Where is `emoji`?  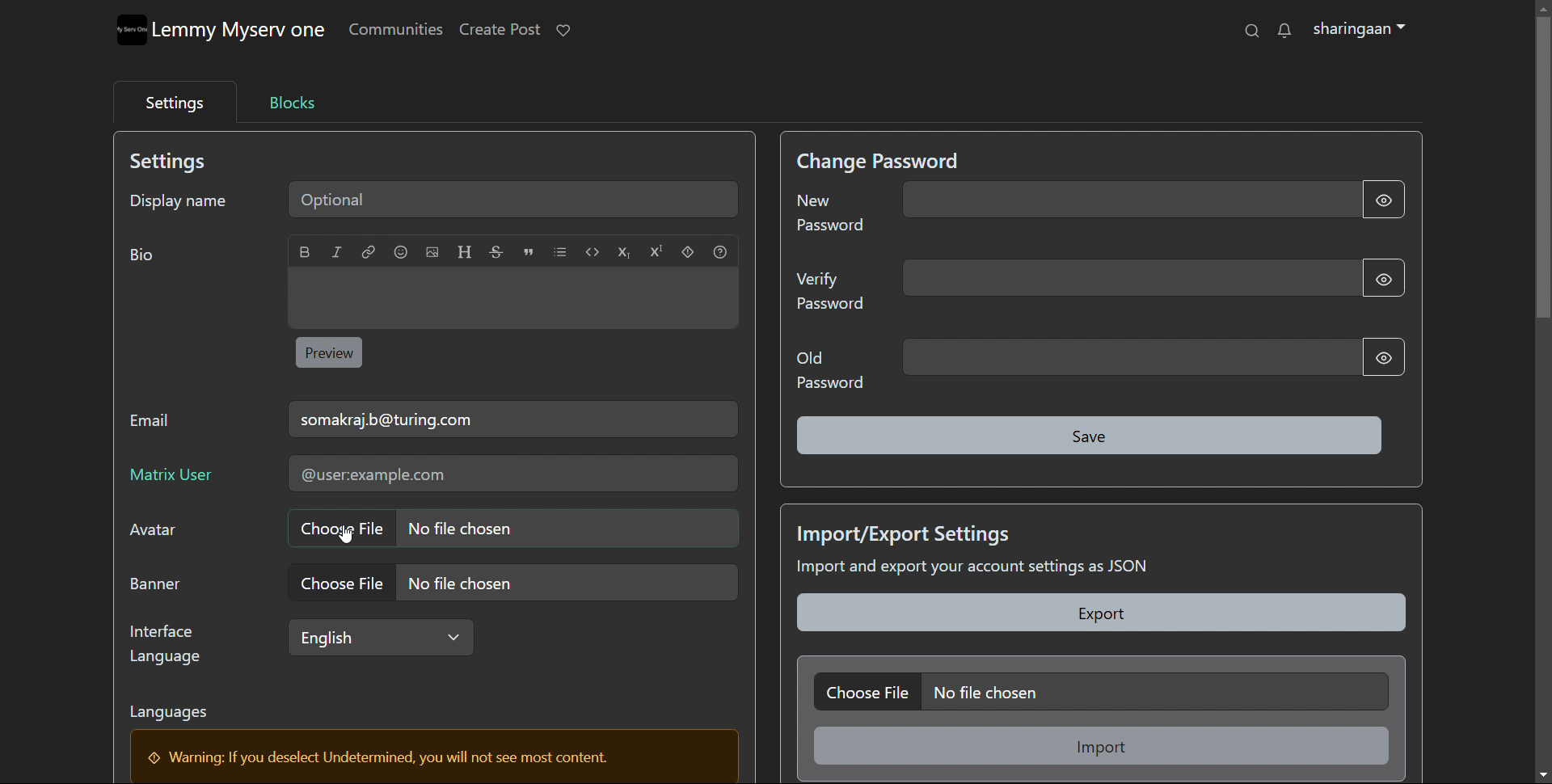 emoji is located at coordinates (400, 251).